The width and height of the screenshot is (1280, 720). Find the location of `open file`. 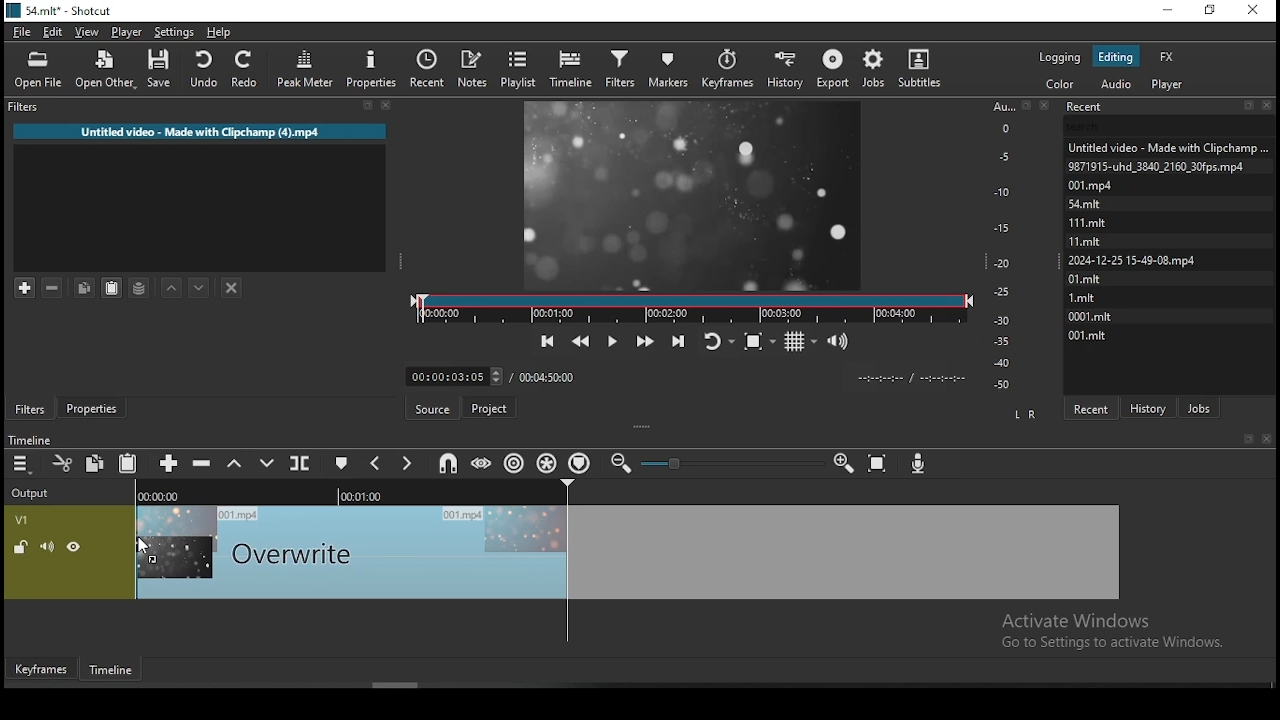

open file is located at coordinates (38, 69).